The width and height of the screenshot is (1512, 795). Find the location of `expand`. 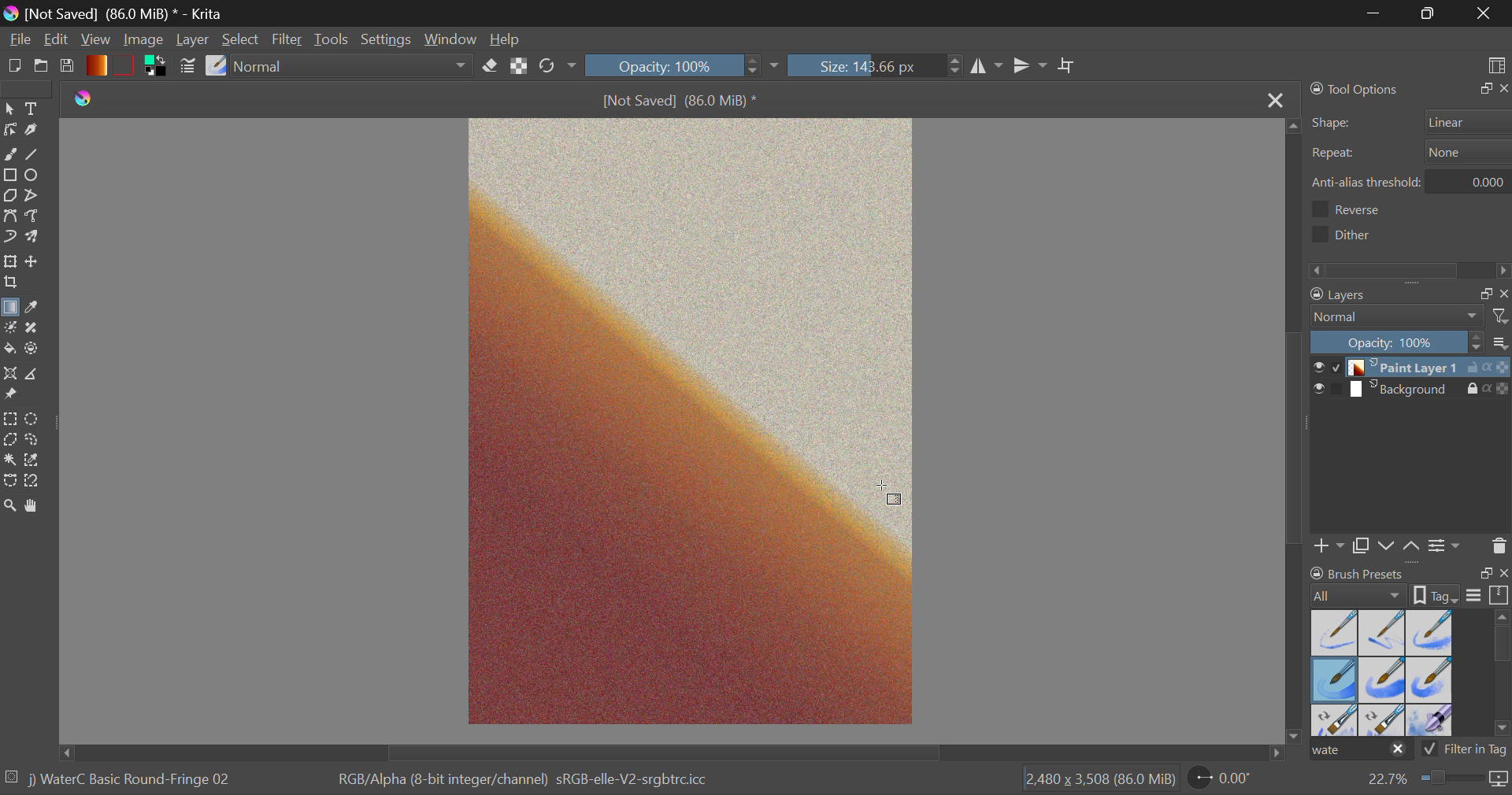

expand is located at coordinates (1486, 573).